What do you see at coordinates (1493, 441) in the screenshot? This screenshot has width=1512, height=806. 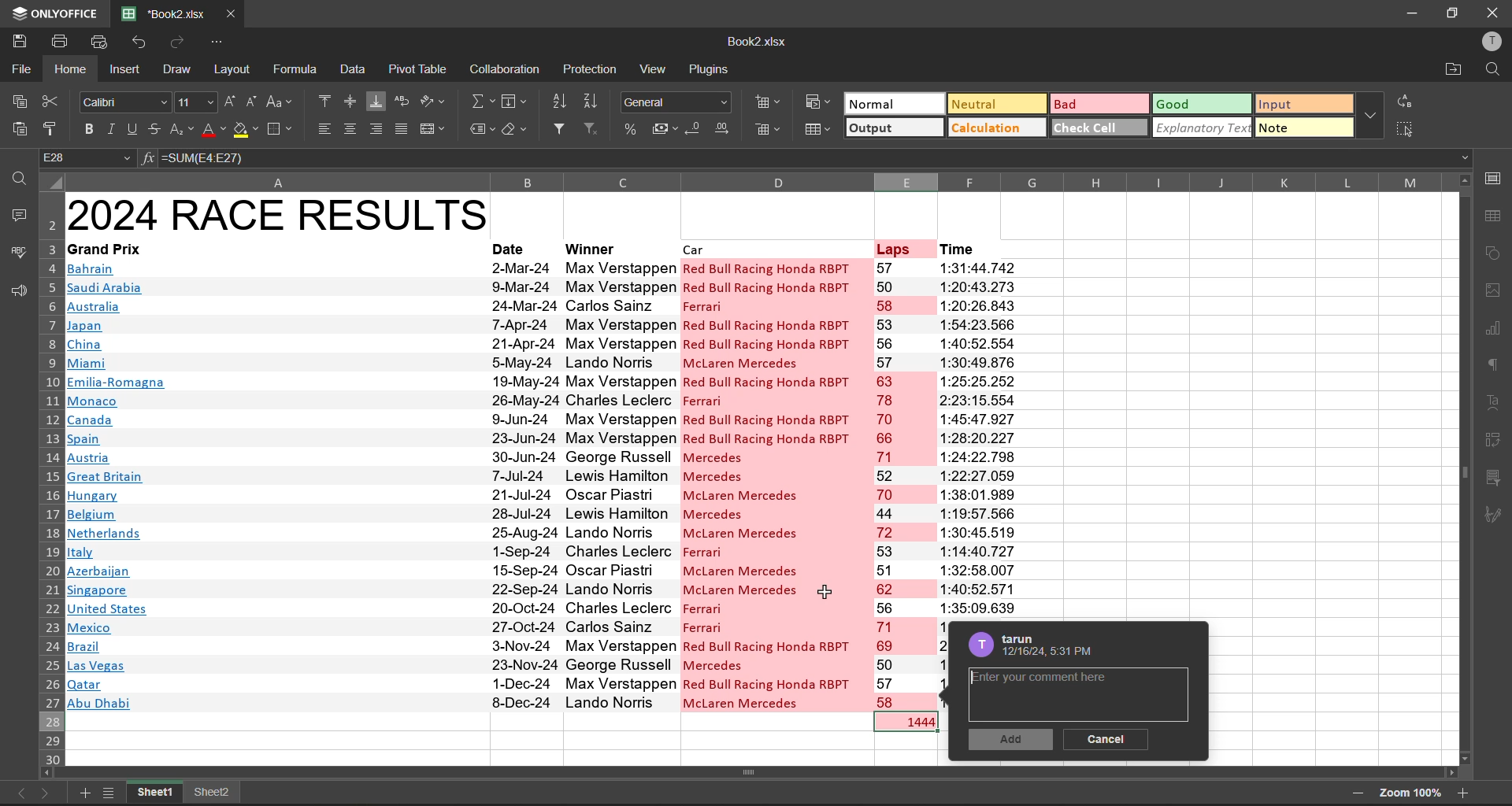 I see `pivot table` at bounding box center [1493, 441].